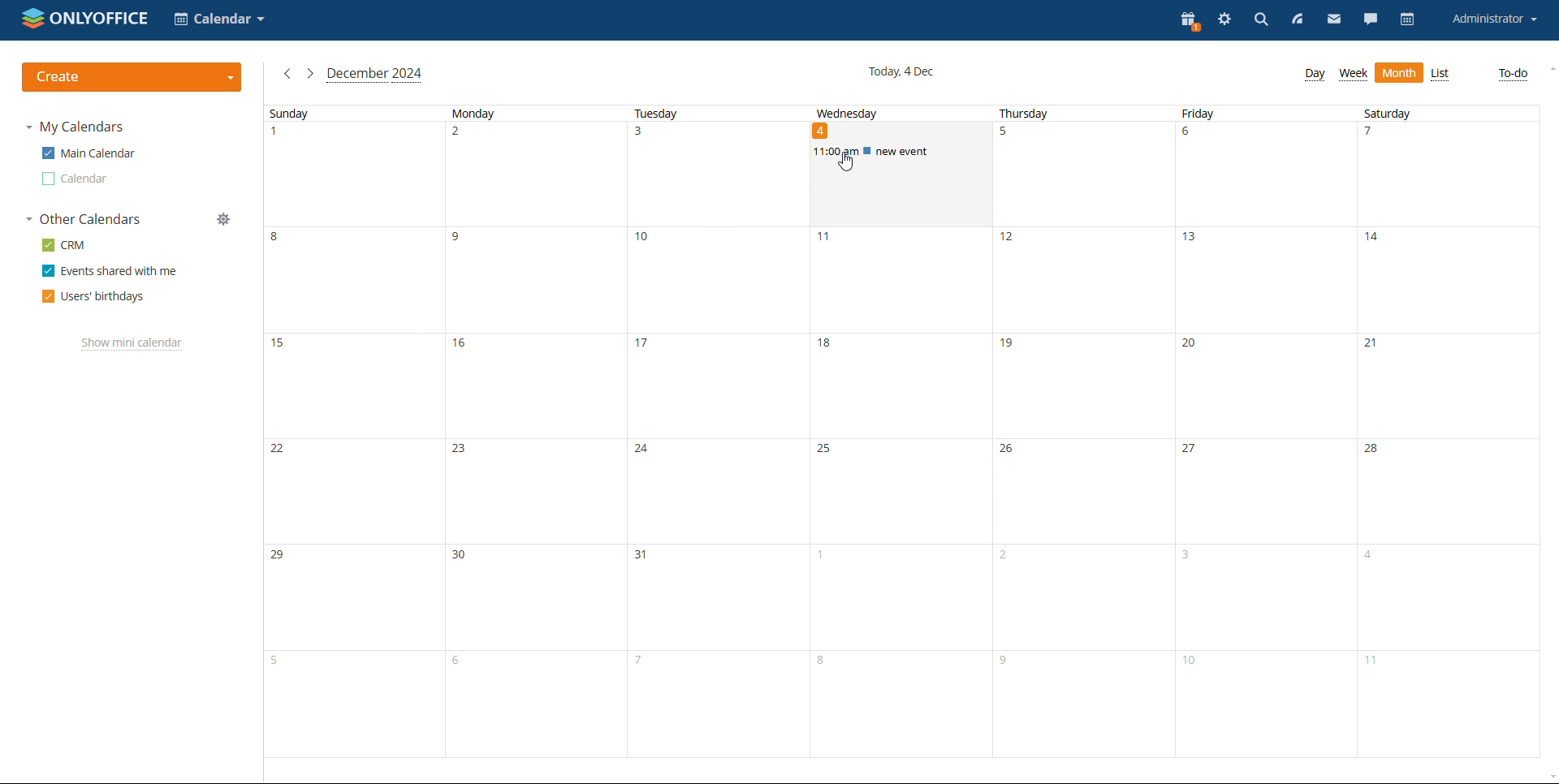  Describe the element at coordinates (92, 296) in the screenshot. I see `users' birthdays` at that location.